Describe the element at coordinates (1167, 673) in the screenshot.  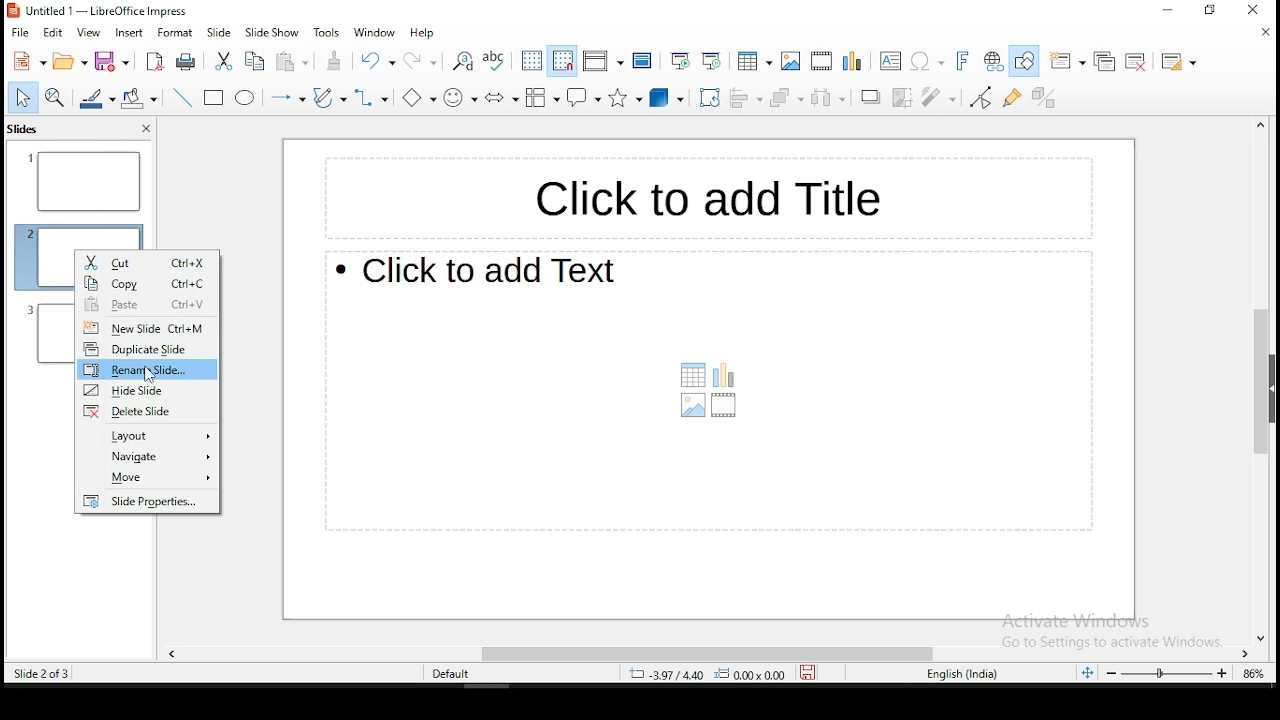
I see `zoom slider` at that location.